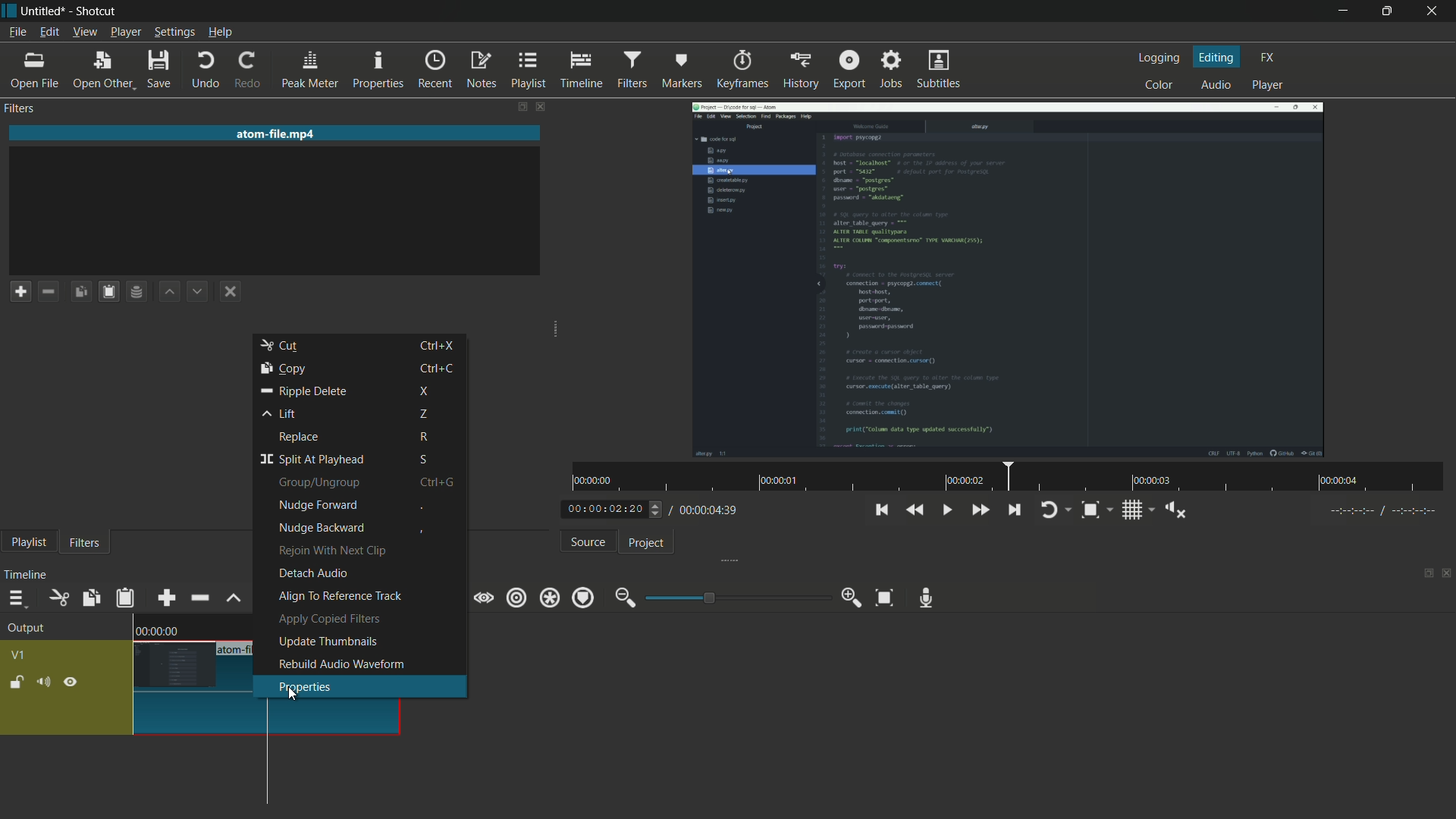 This screenshot has height=819, width=1456. What do you see at coordinates (284, 370) in the screenshot?
I see `copy` at bounding box center [284, 370].